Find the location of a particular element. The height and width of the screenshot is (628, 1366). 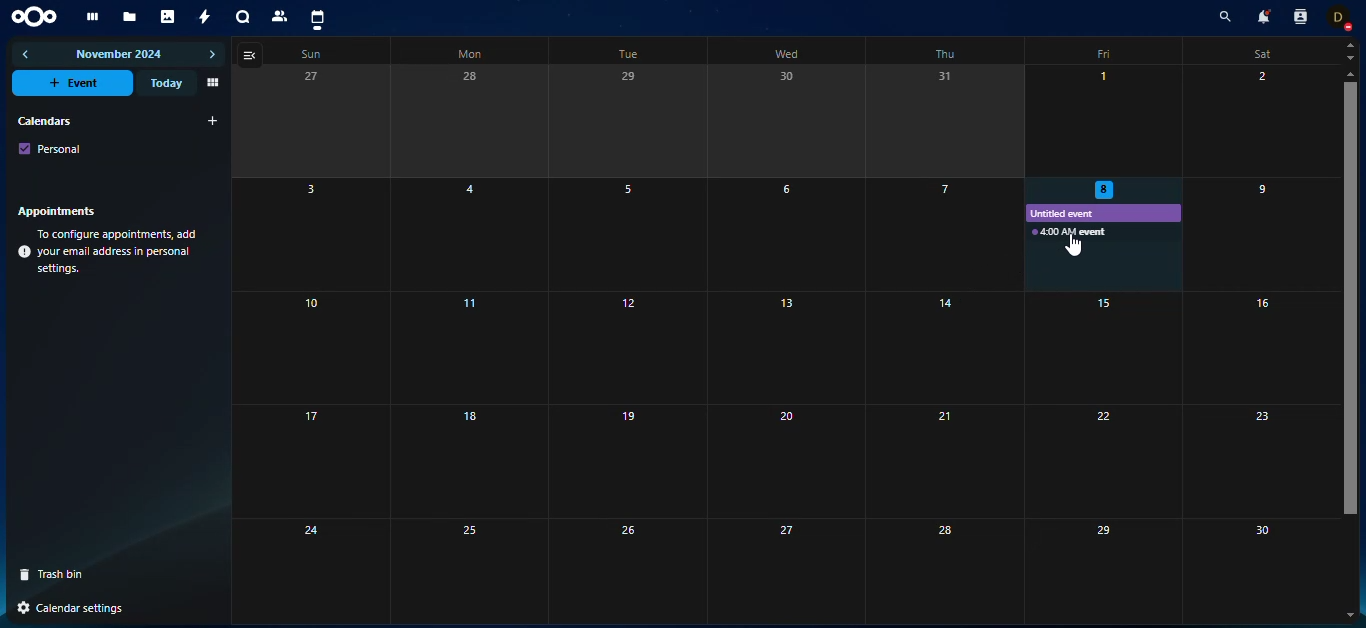

notifications is located at coordinates (1261, 16).